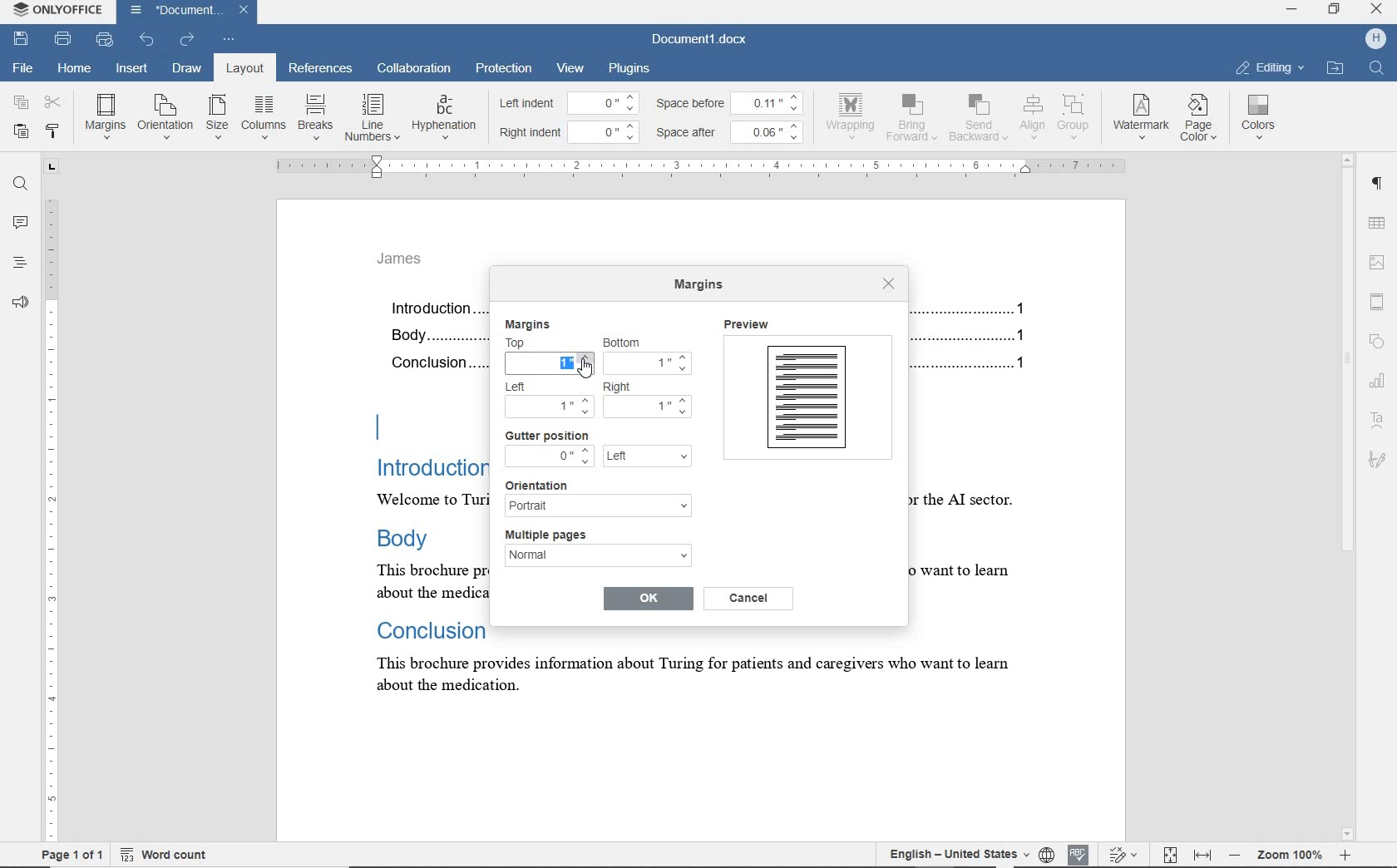  Describe the element at coordinates (415, 70) in the screenshot. I see `collaboration` at that location.